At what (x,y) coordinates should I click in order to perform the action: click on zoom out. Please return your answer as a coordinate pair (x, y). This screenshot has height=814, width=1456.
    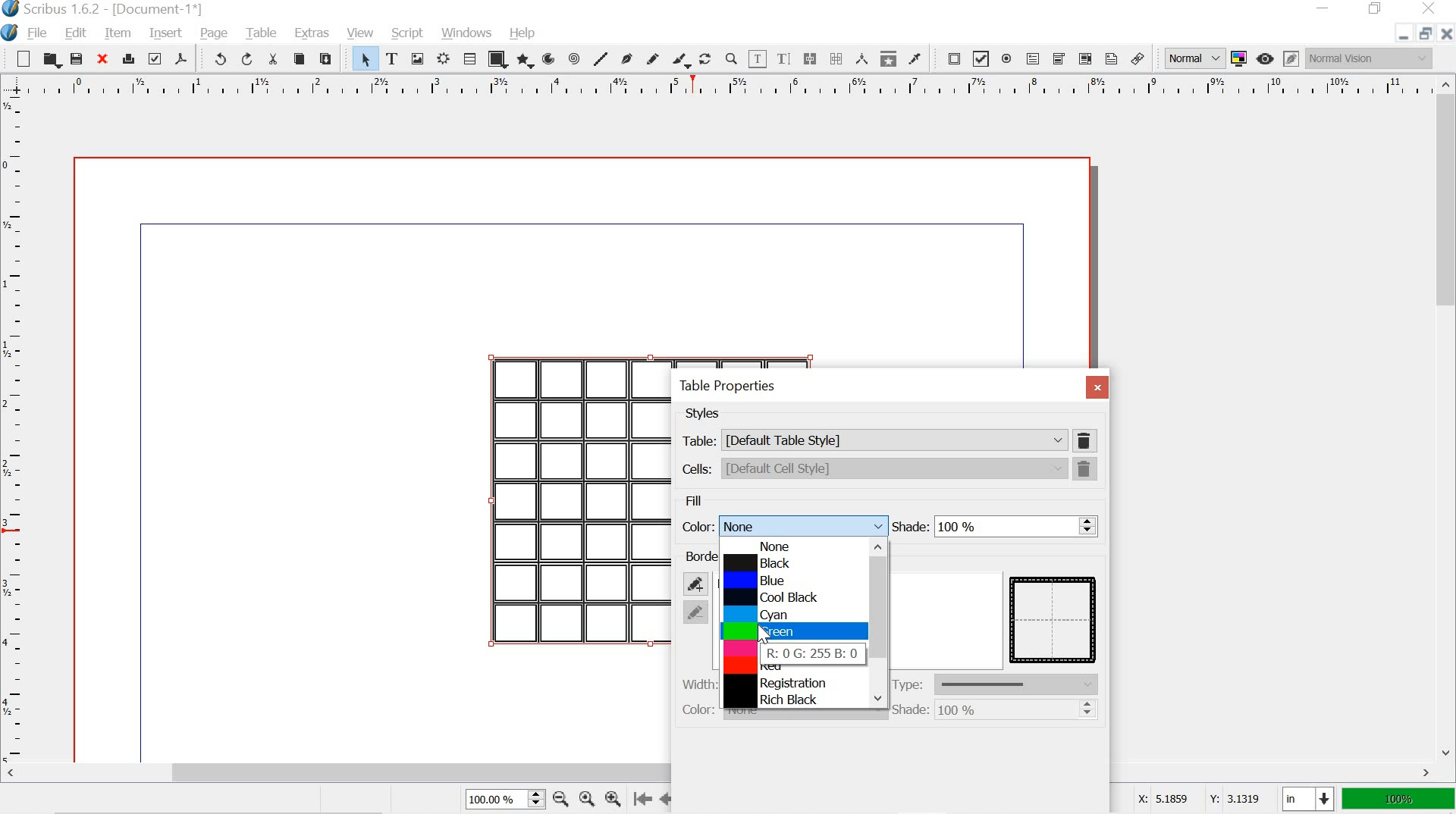
    Looking at the image, I should click on (559, 798).